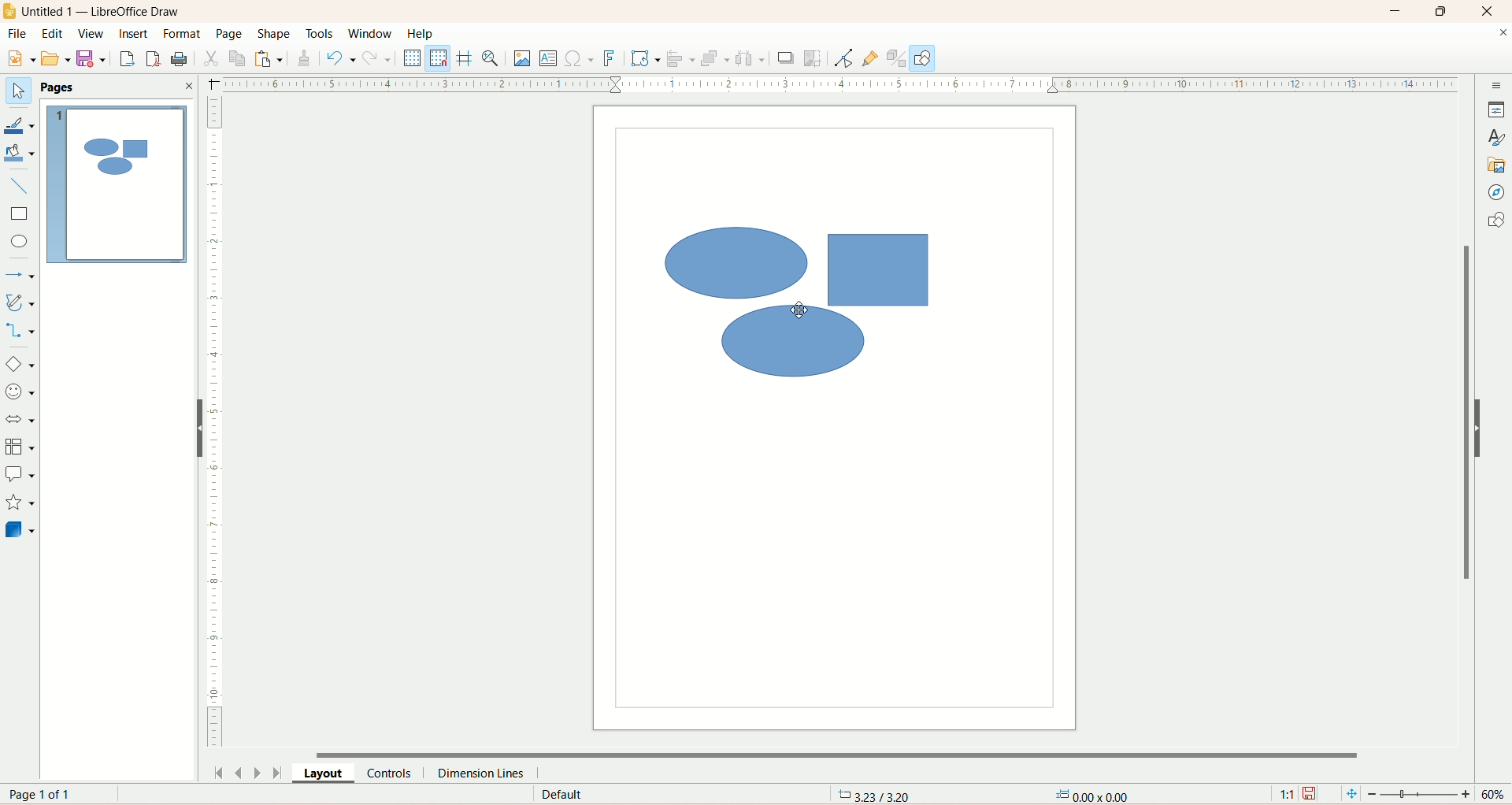 This screenshot has height=805, width=1512. Describe the element at coordinates (19, 503) in the screenshot. I see `stars and banners` at that location.